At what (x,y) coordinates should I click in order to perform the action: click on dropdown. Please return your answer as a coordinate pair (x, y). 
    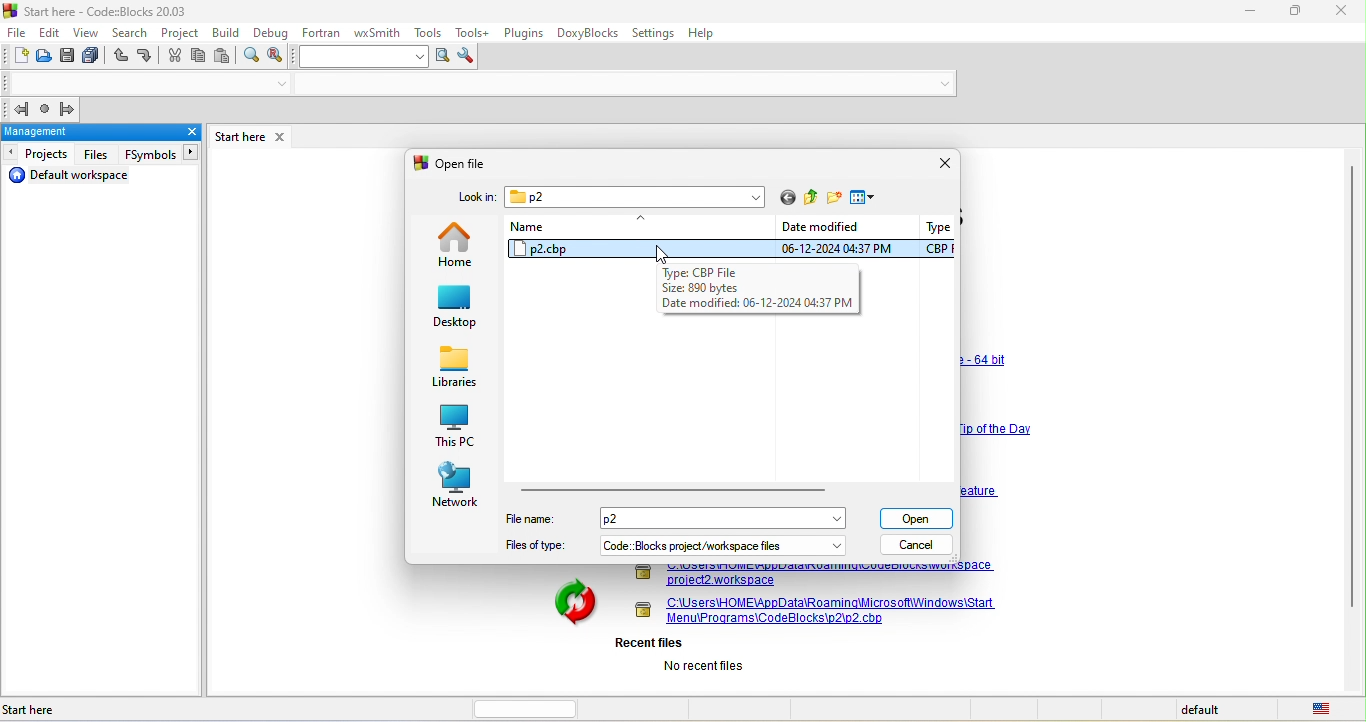
    Looking at the image, I should click on (840, 544).